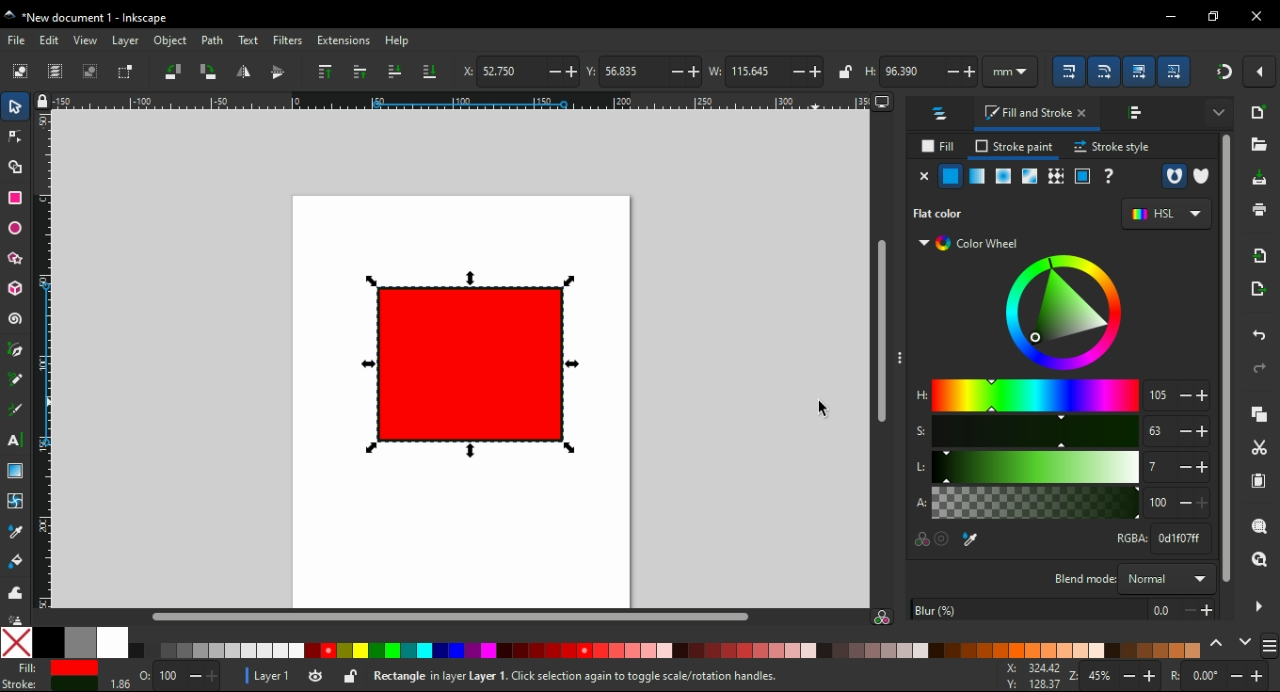 The height and width of the screenshot is (692, 1280). I want to click on color wheel, so click(972, 244).